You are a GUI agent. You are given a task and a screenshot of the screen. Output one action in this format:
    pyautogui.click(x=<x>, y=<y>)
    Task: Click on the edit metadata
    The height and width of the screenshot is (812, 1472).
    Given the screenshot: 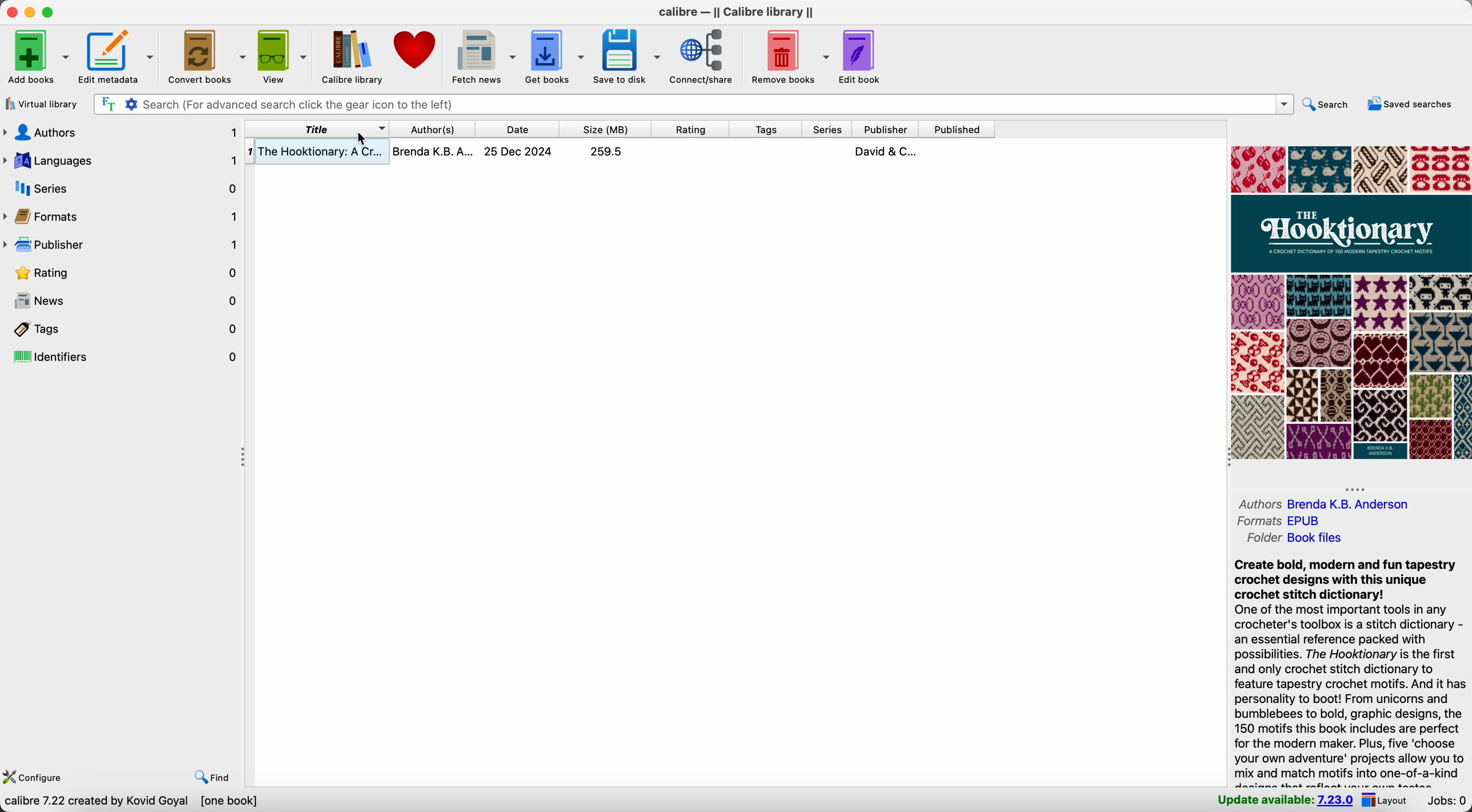 What is the action you would take?
    pyautogui.click(x=116, y=57)
    